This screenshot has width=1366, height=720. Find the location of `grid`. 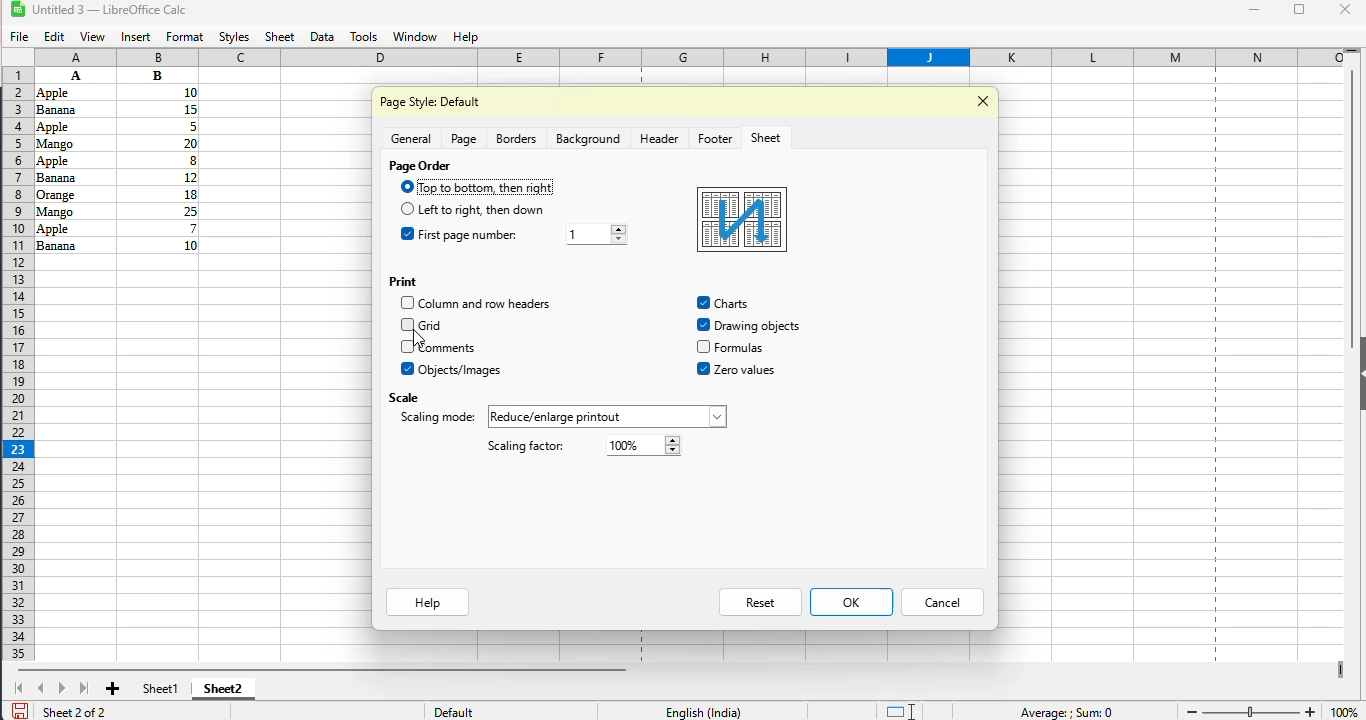

grid is located at coordinates (432, 325).